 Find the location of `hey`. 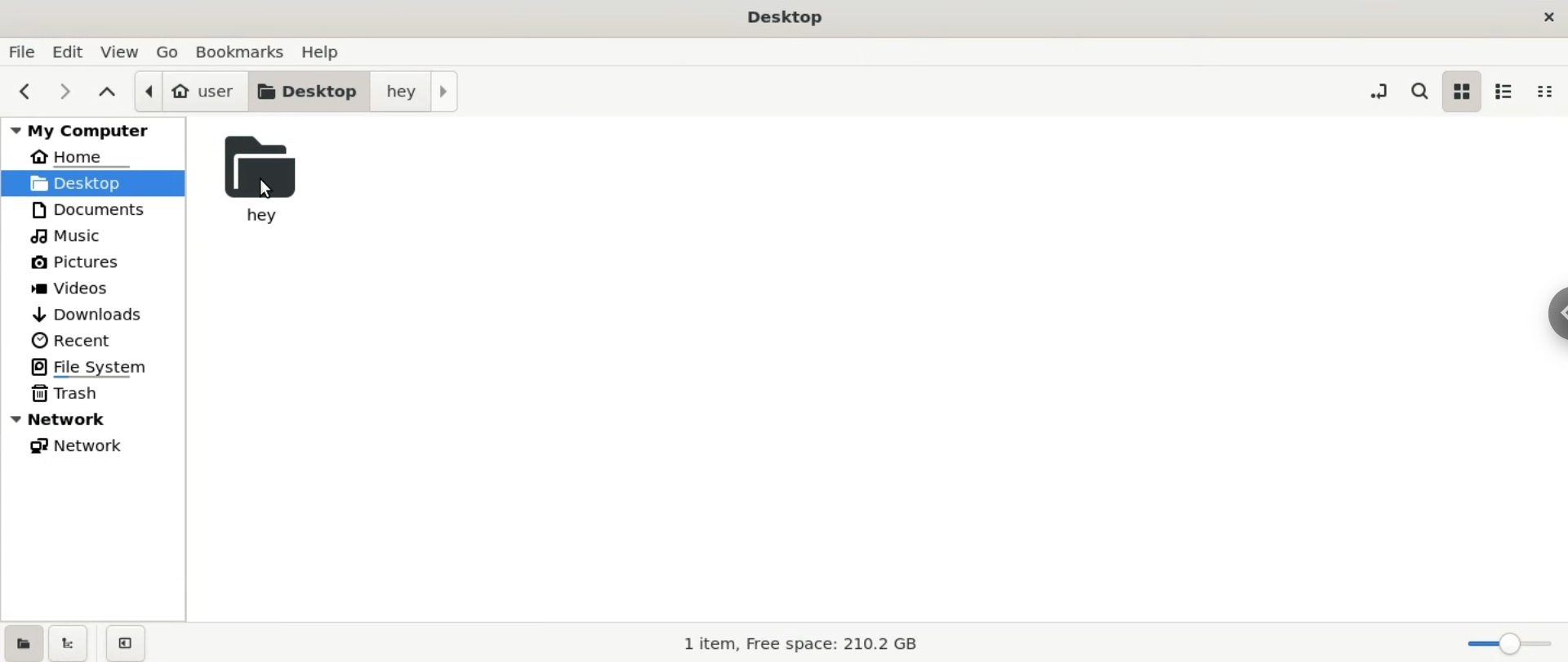

hey is located at coordinates (265, 181).